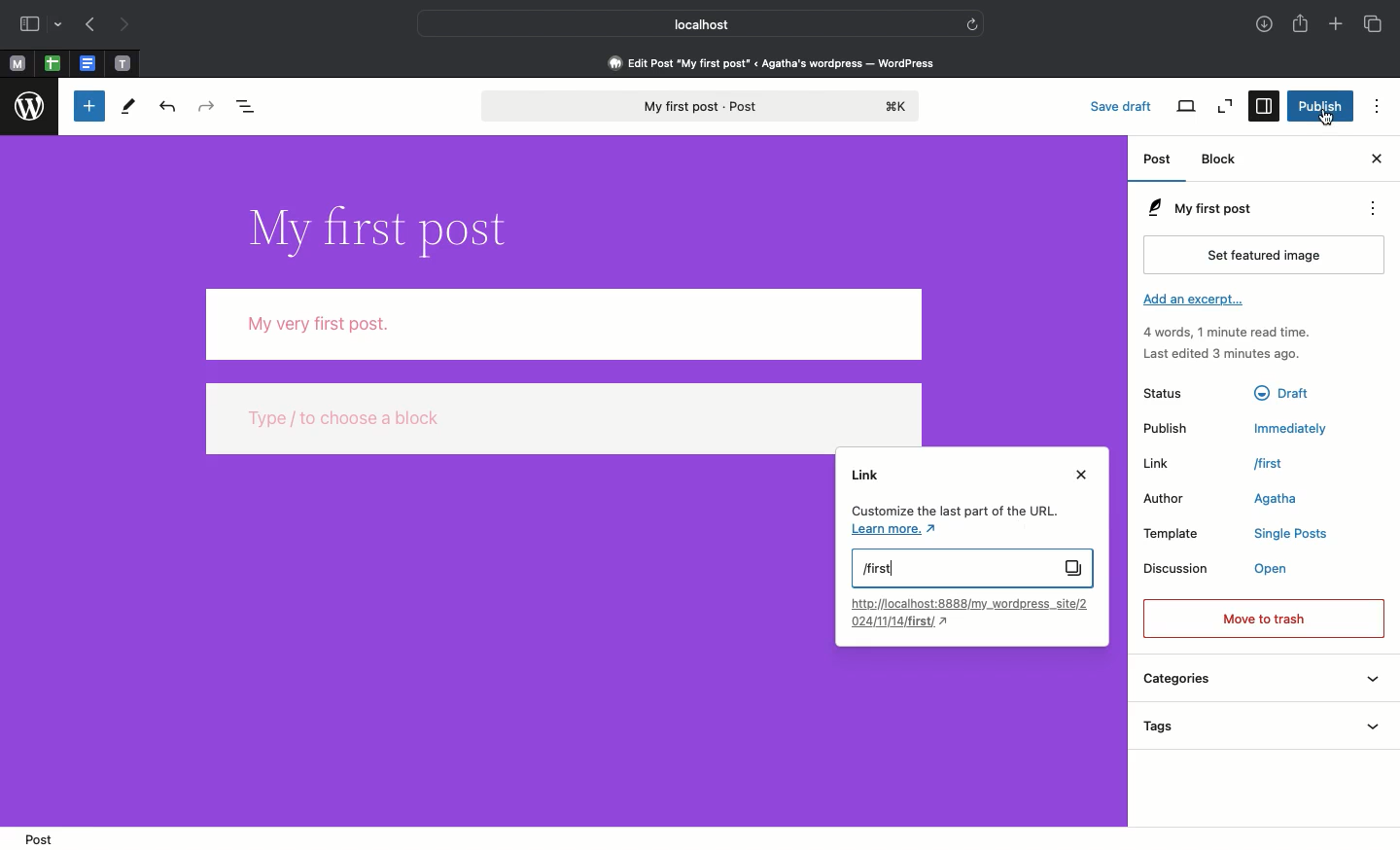 The height and width of the screenshot is (850, 1400). What do you see at coordinates (565, 417) in the screenshot?
I see `type / to choose a block` at bounding box center [565, 417].